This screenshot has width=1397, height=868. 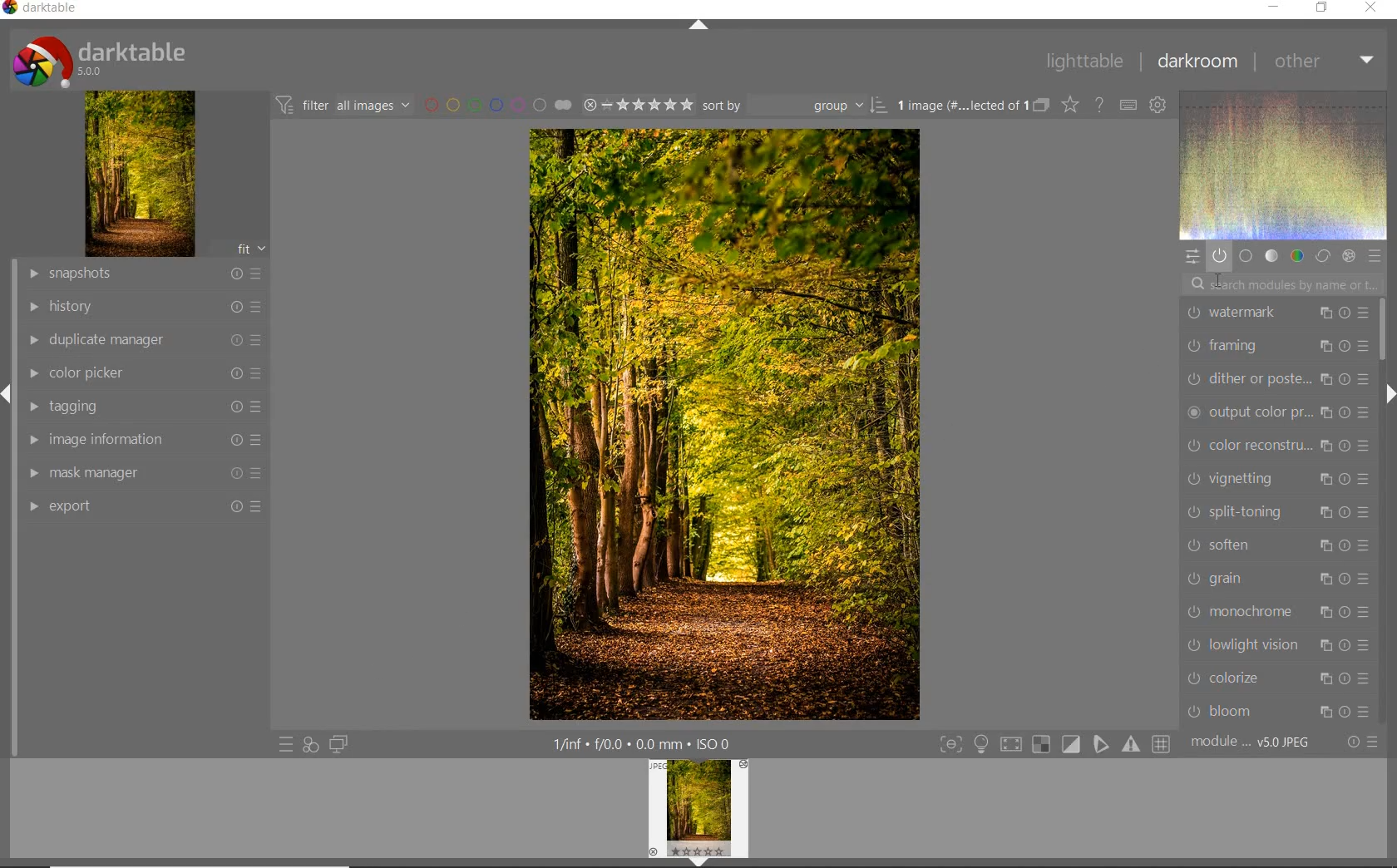 I want to click on show only active module, so click(x=1219, y=255).